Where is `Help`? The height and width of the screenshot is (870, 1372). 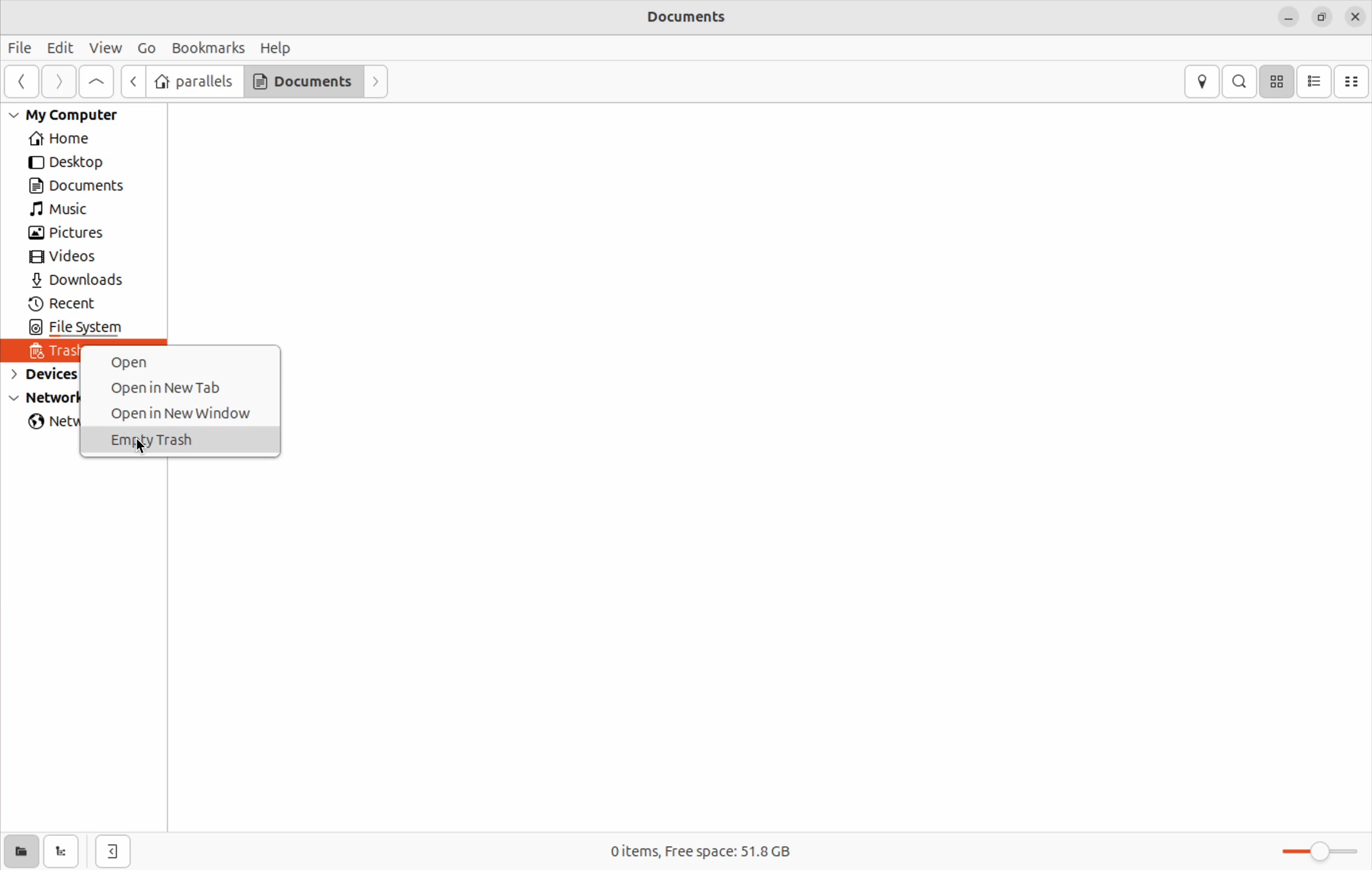 Help is located at coordinates (278, 47).